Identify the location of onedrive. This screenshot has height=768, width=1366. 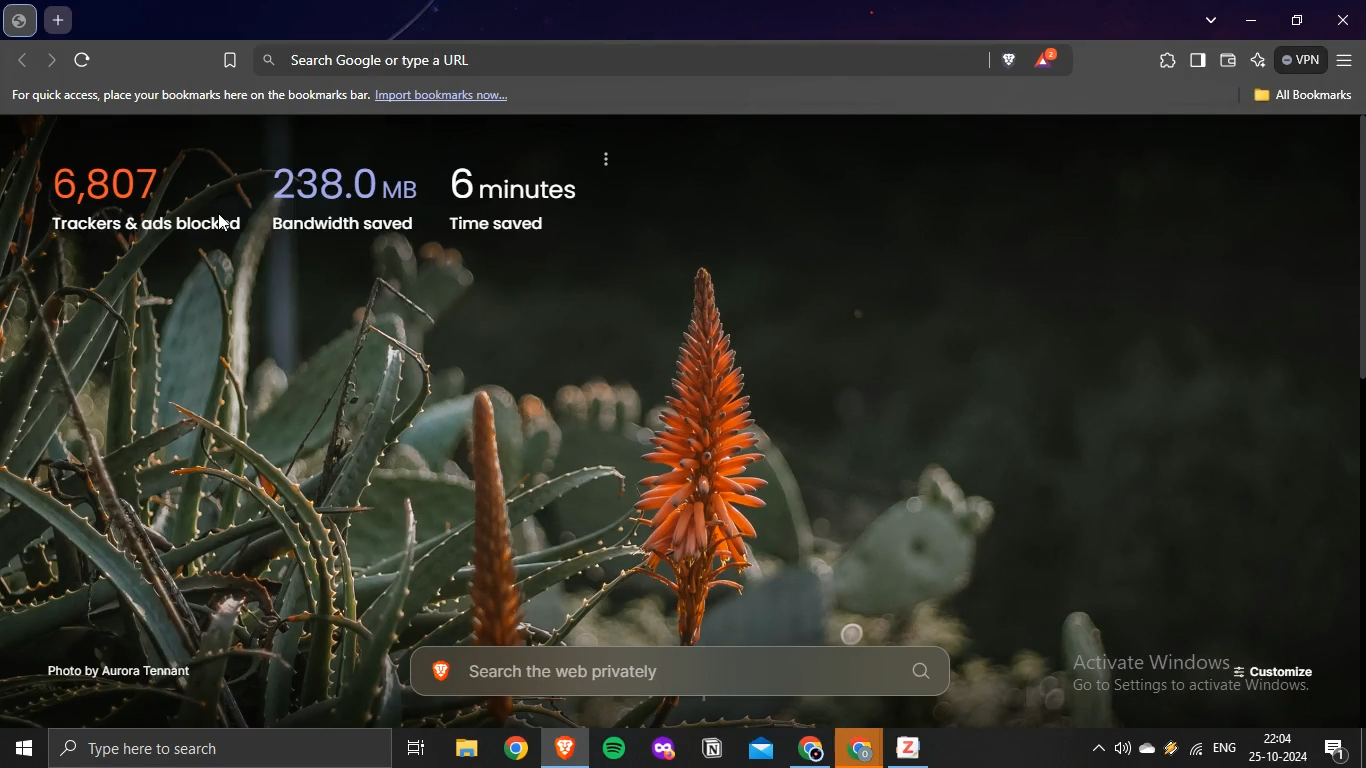
(1146, 745).